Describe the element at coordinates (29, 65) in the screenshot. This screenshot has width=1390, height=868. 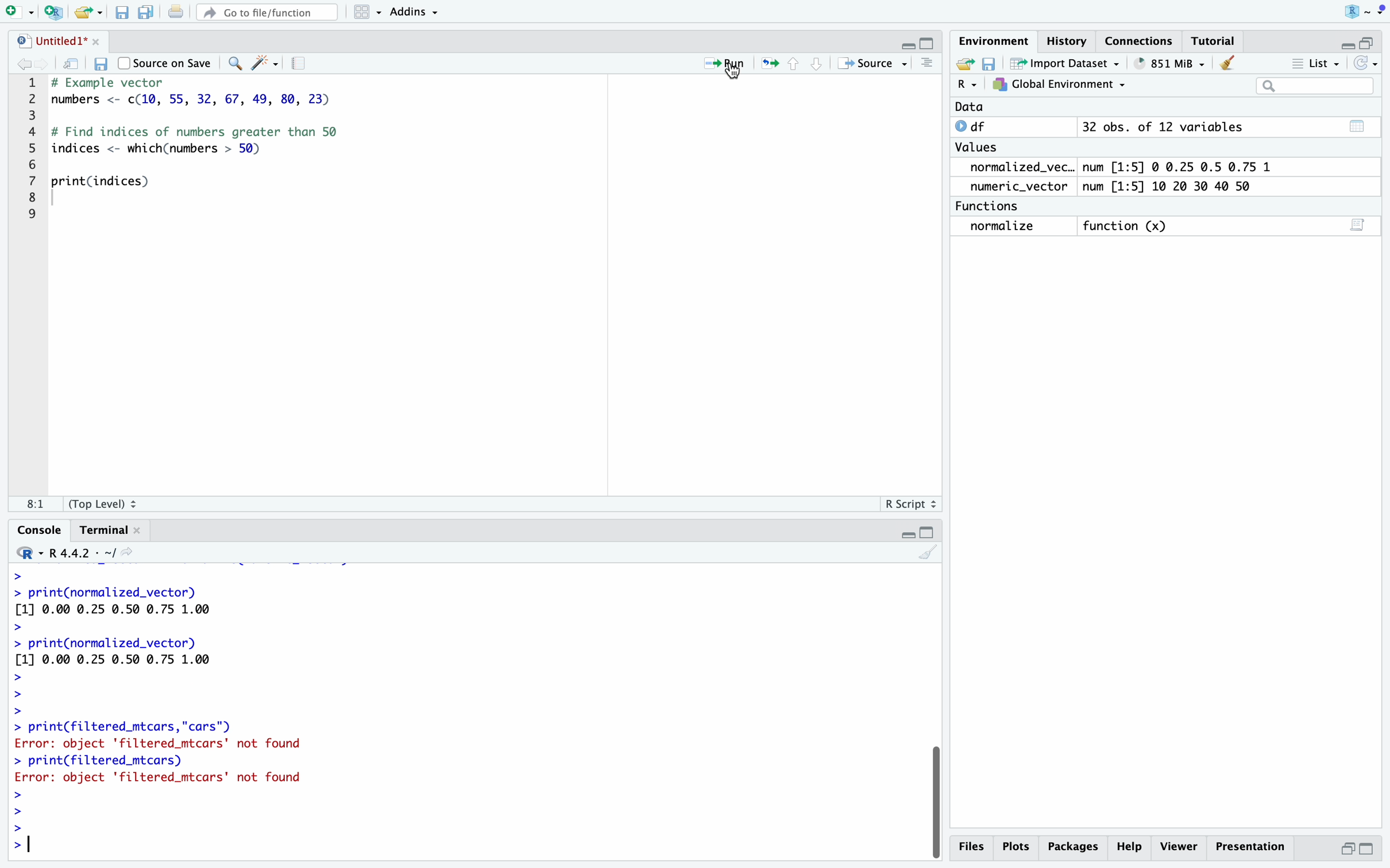
I see `go back` at that location.